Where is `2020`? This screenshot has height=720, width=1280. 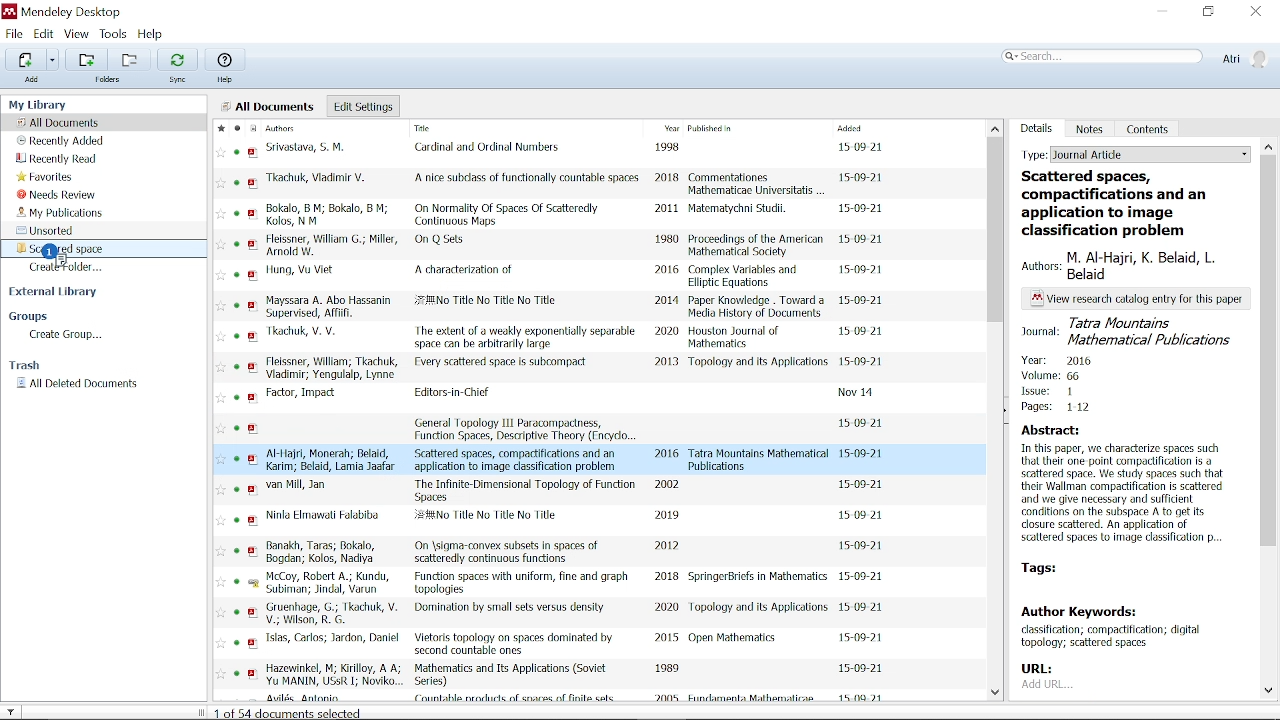 2020 is located at coordinates (666, 332).